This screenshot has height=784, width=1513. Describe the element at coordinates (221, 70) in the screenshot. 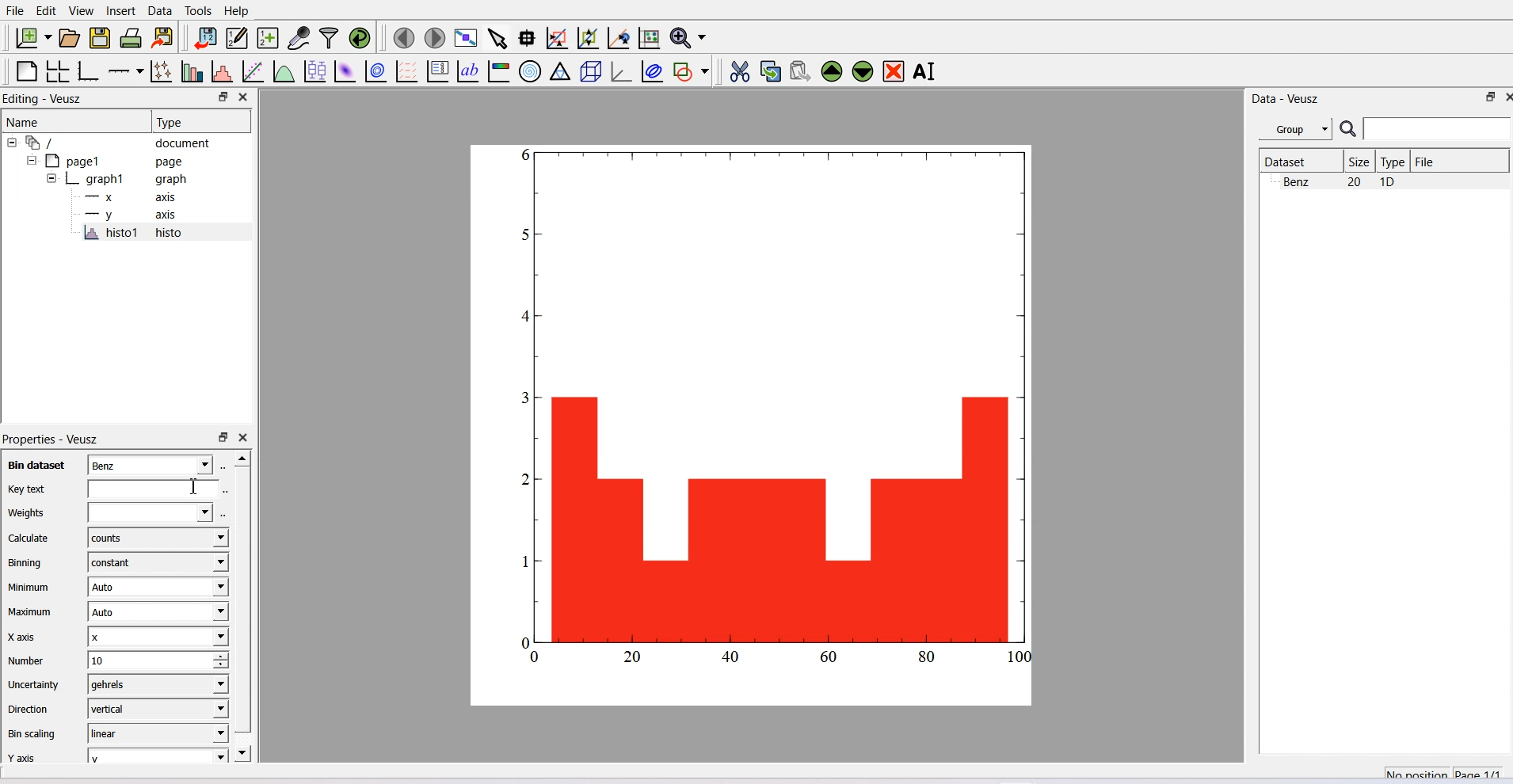

I see `Histogram of dataset` at that location.